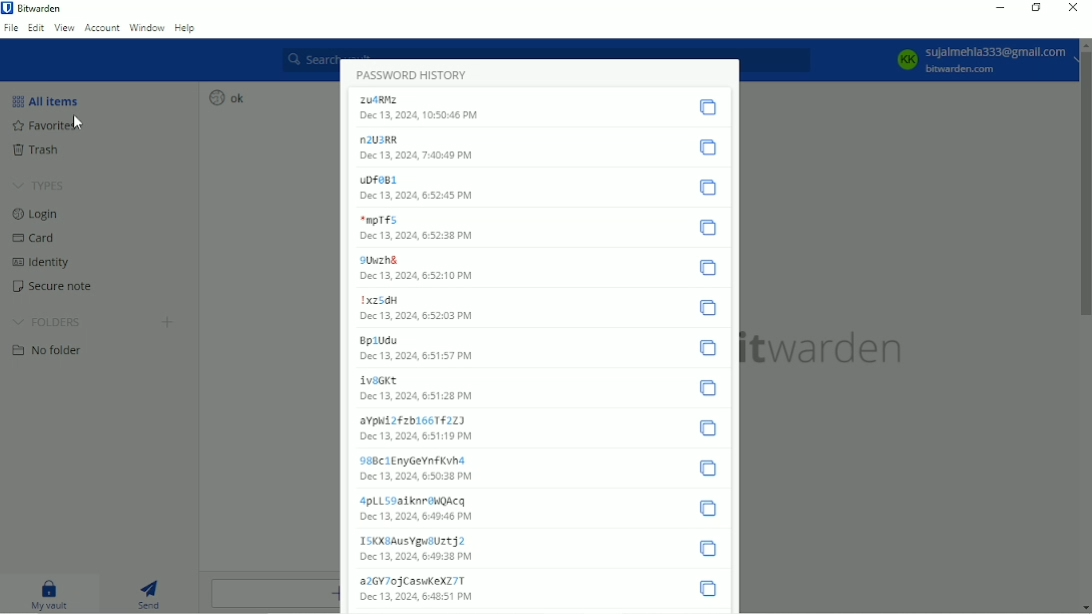 The image size is (1092, 614). What do you see at coordinates (378, 220) in the screenshot?
I see `*mpTf5` at bounding box center [378, 220].